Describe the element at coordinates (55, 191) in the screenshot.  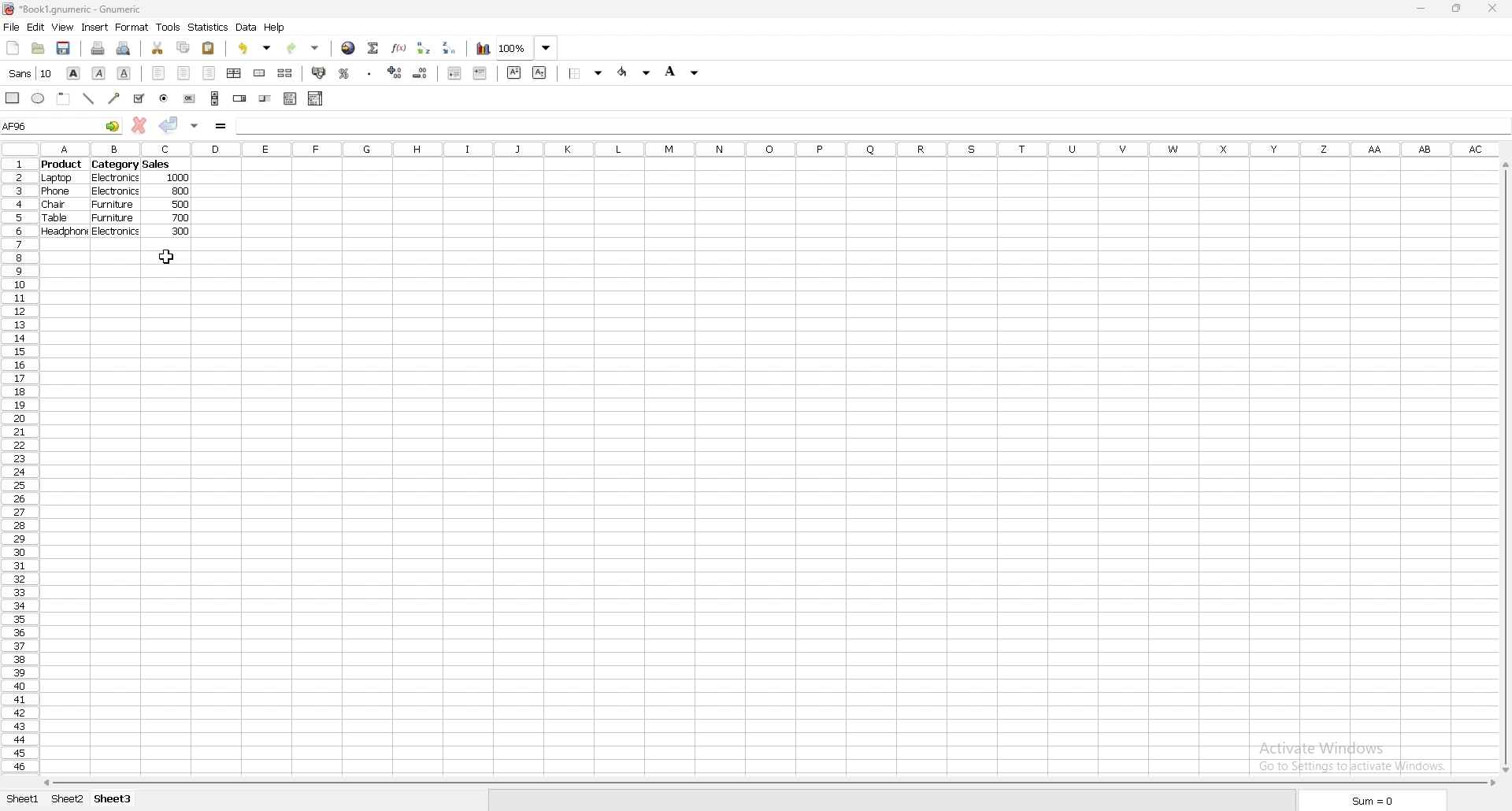
I see `phone` at that location.